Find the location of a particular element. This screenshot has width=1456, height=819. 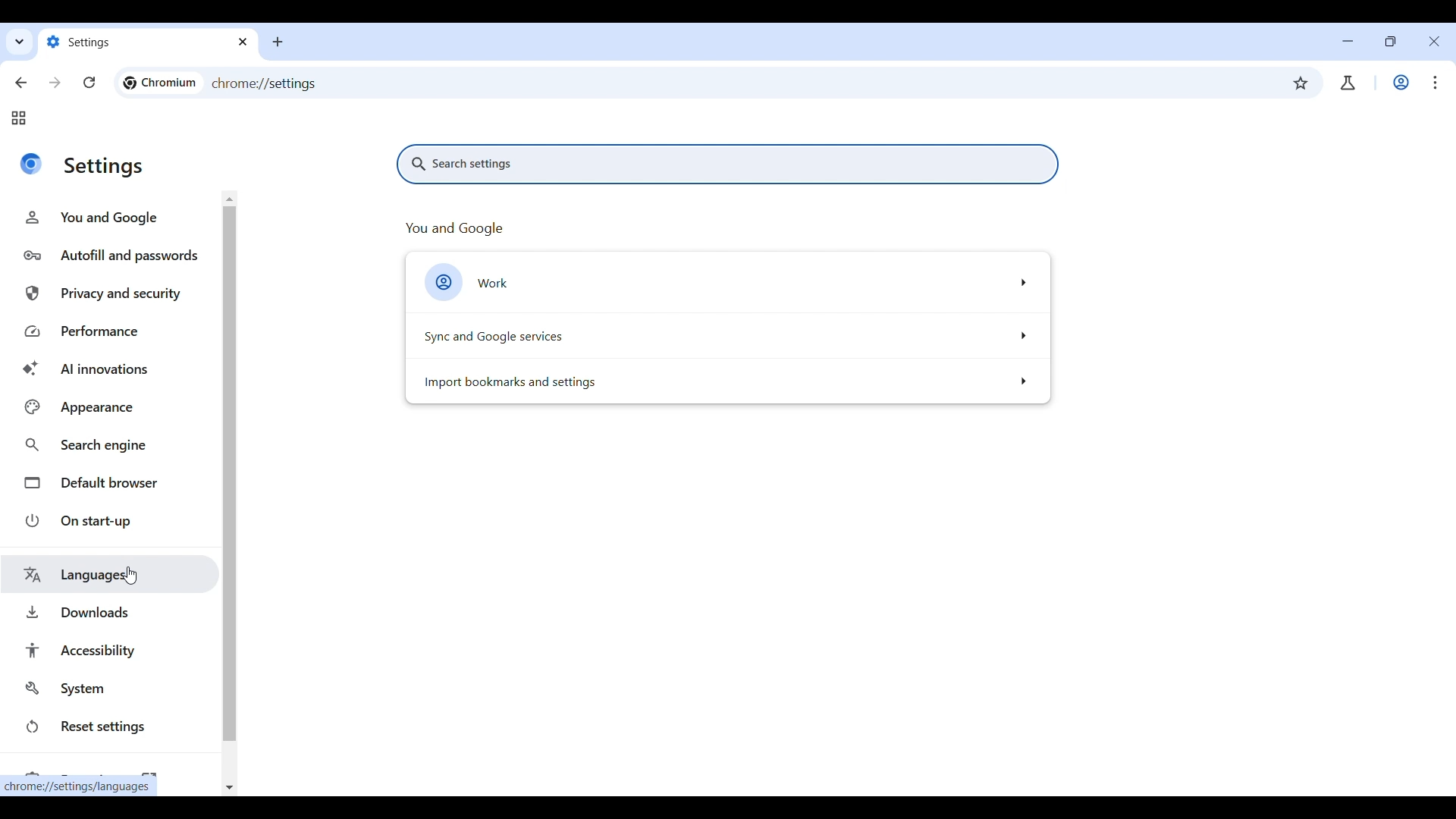

Privacy and security is located at coordinates (113, 295).